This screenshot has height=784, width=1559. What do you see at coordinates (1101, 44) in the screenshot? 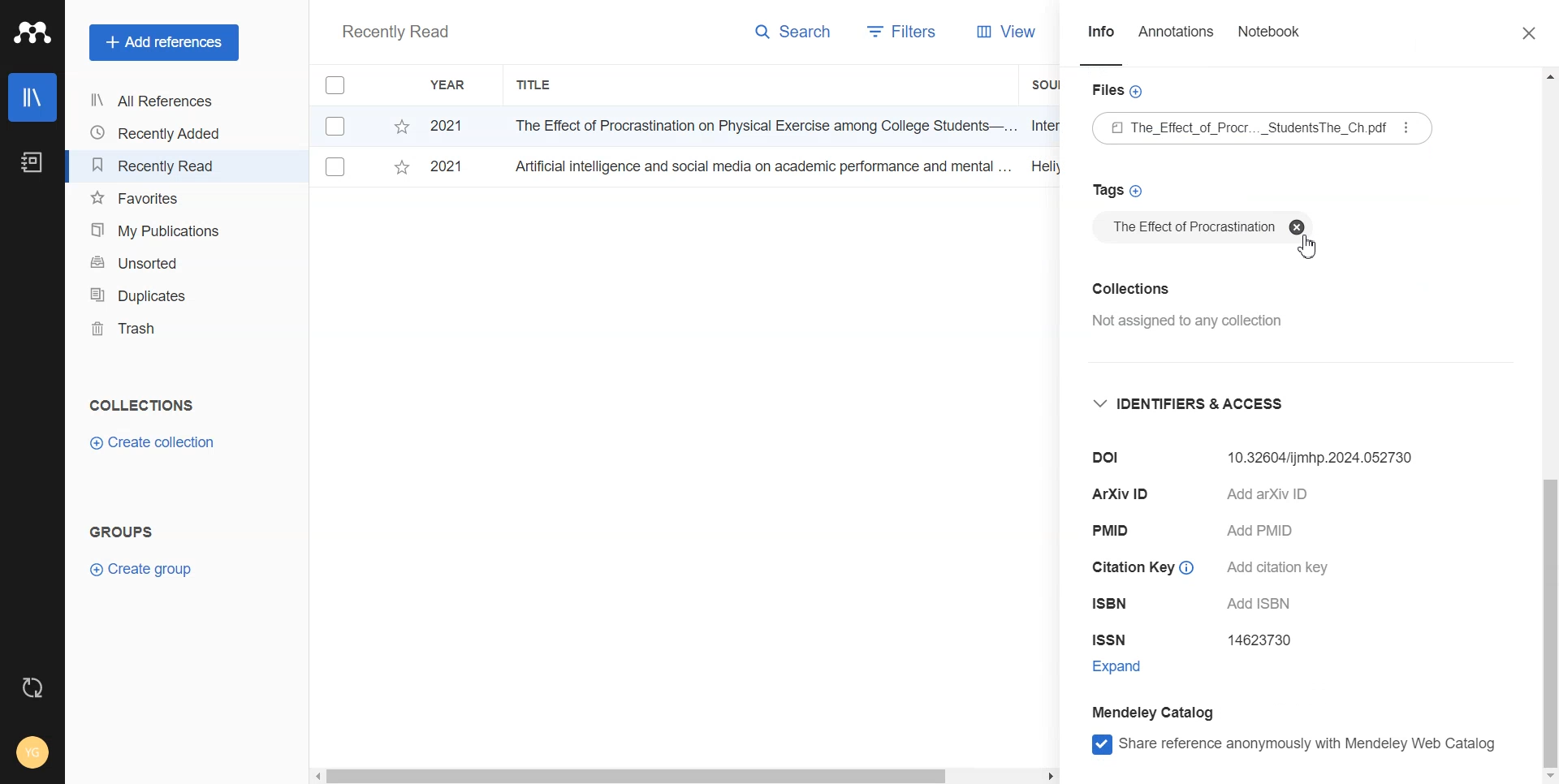
I see `Info` at bounding box center [1101, 44].